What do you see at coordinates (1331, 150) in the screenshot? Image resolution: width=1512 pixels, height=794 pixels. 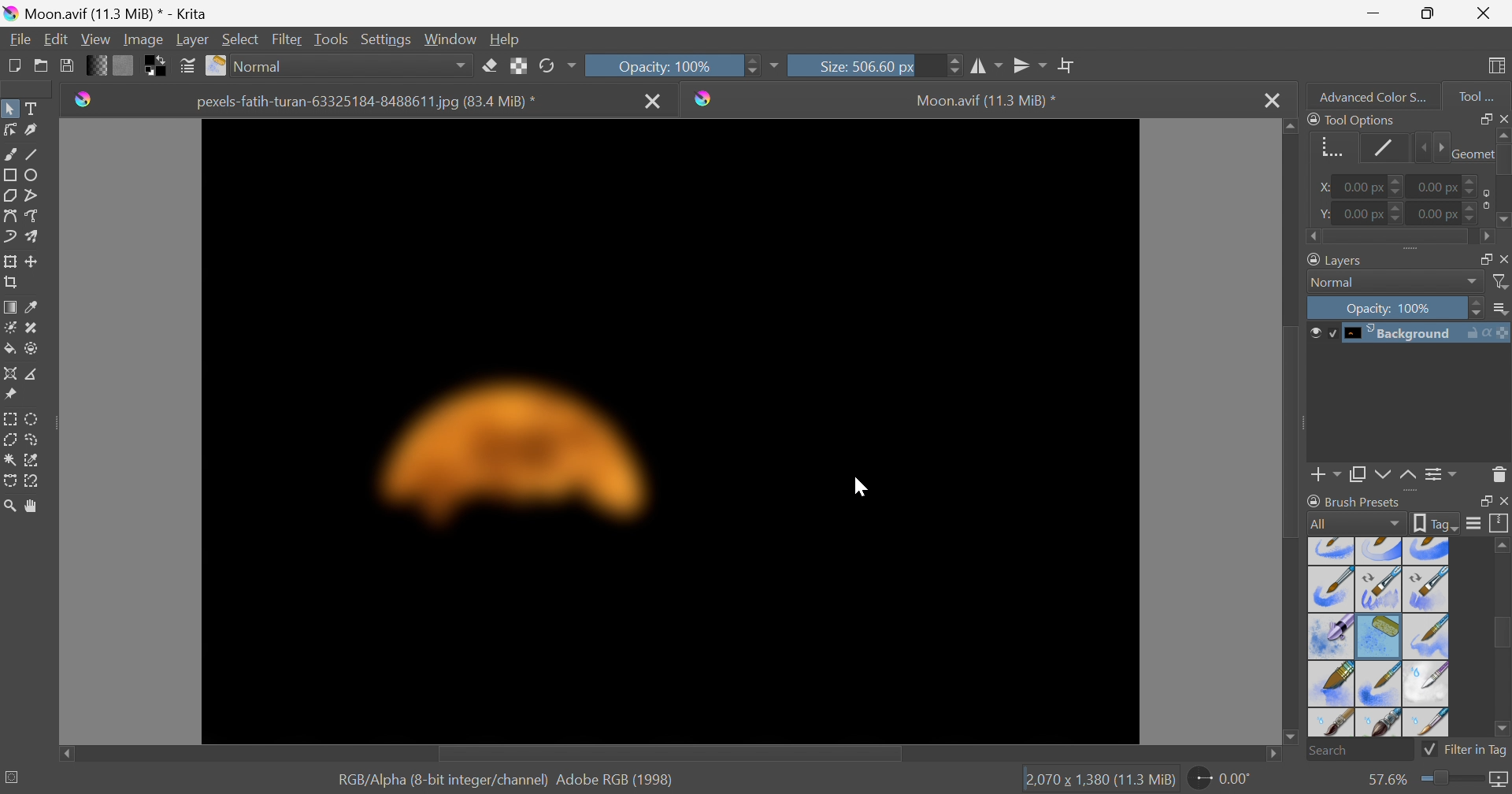 I see `Geometry` at bounding box center [1331, 150].